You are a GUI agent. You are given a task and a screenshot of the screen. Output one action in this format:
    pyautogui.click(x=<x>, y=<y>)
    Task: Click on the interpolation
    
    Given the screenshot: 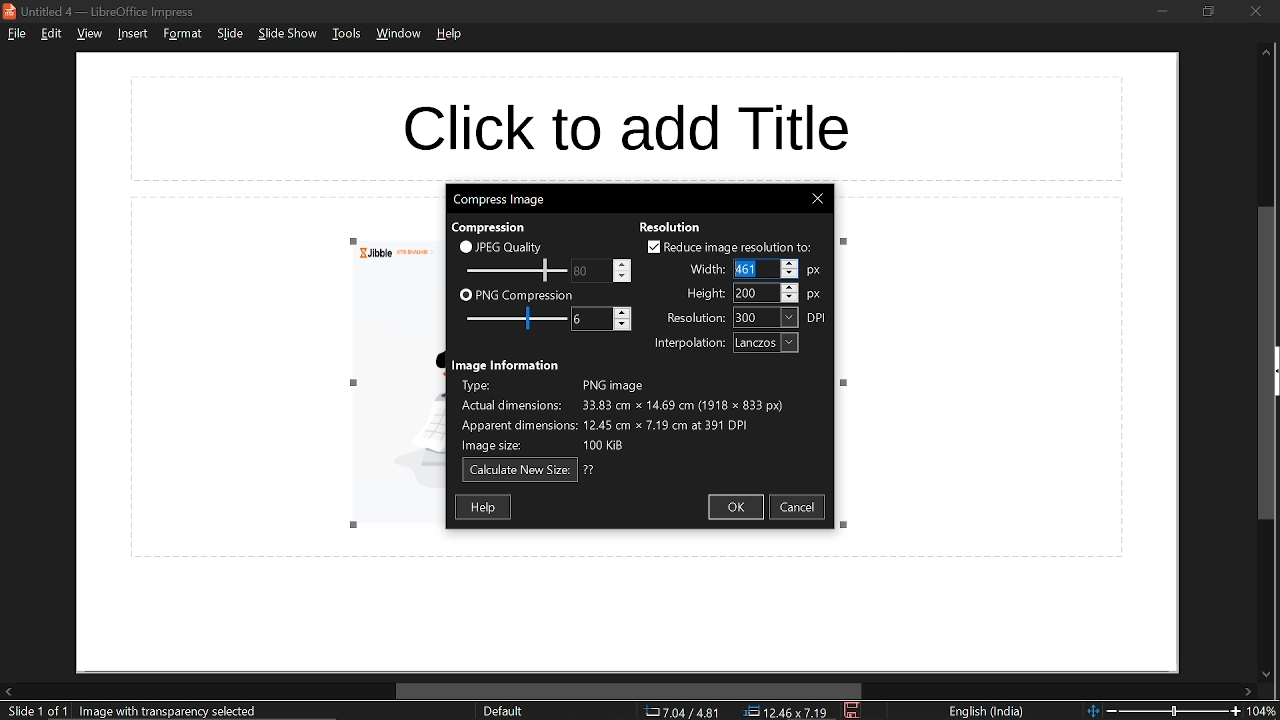 What is the action you would take?
    pyautogui.click(x=765, y=343)
    